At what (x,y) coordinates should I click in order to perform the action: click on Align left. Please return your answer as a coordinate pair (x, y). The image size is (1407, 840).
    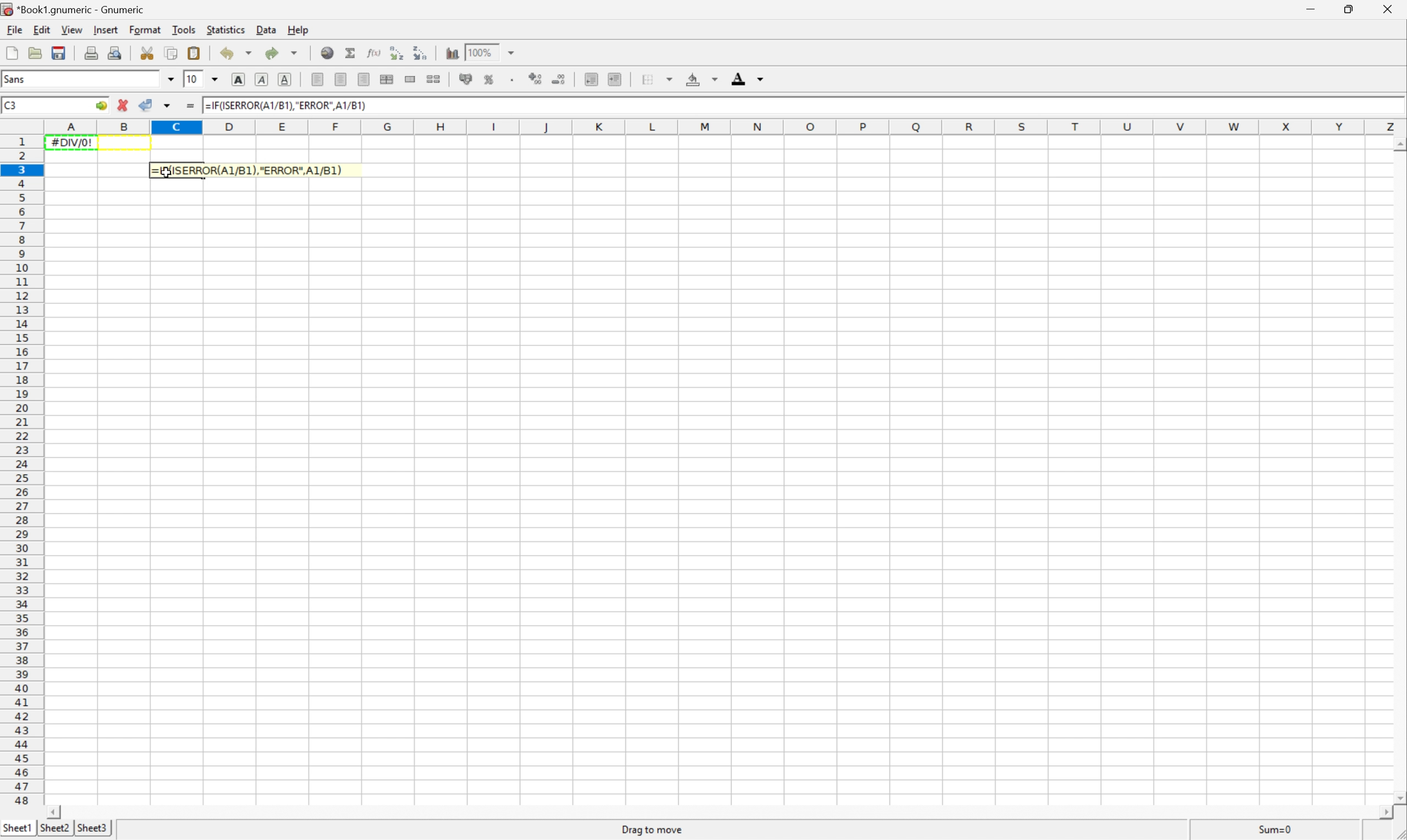
    Looking at the image, I should click on (319, 80).